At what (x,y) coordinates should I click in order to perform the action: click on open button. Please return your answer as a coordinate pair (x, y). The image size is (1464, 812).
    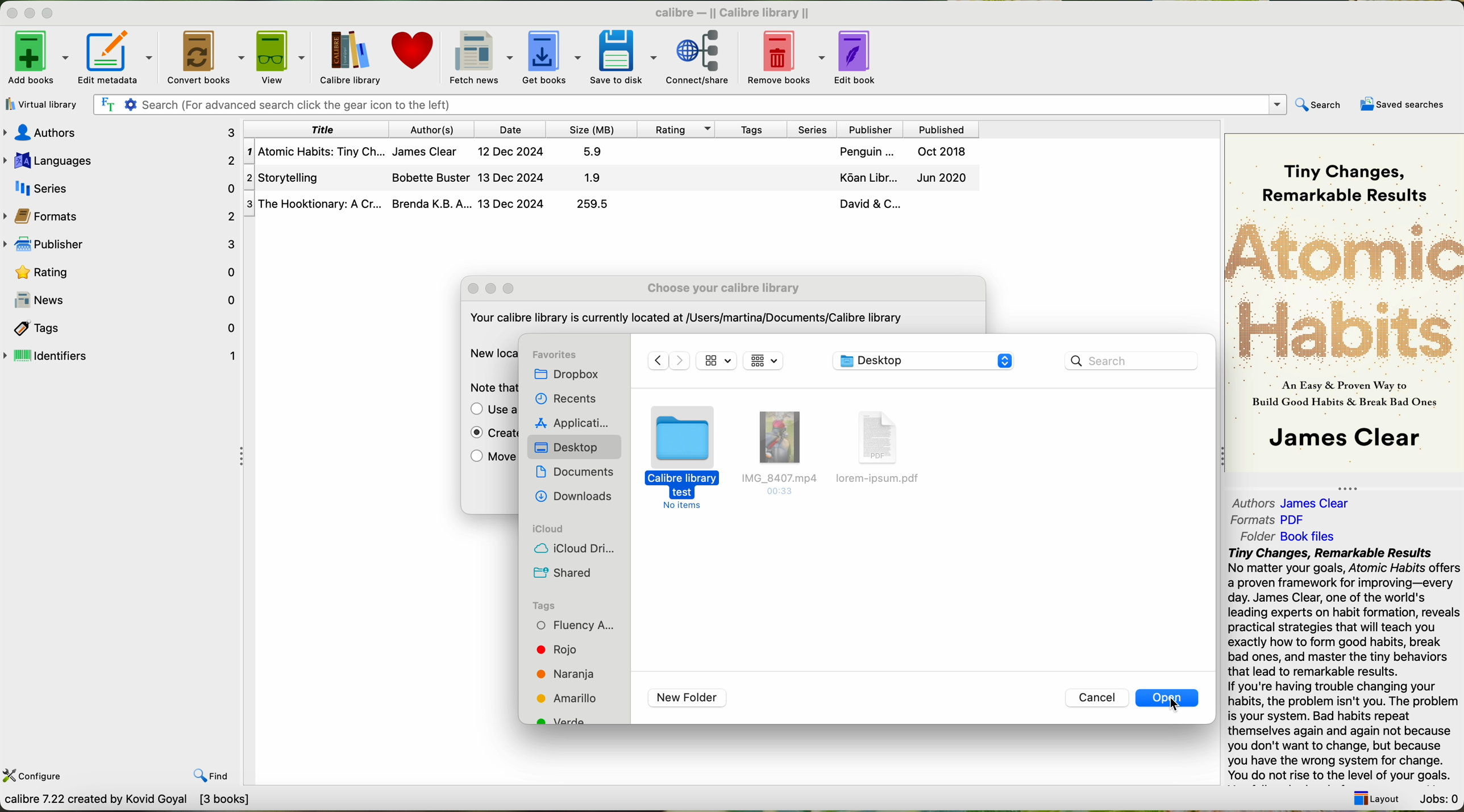
    Looking at the image, I should click on (1168, 698).